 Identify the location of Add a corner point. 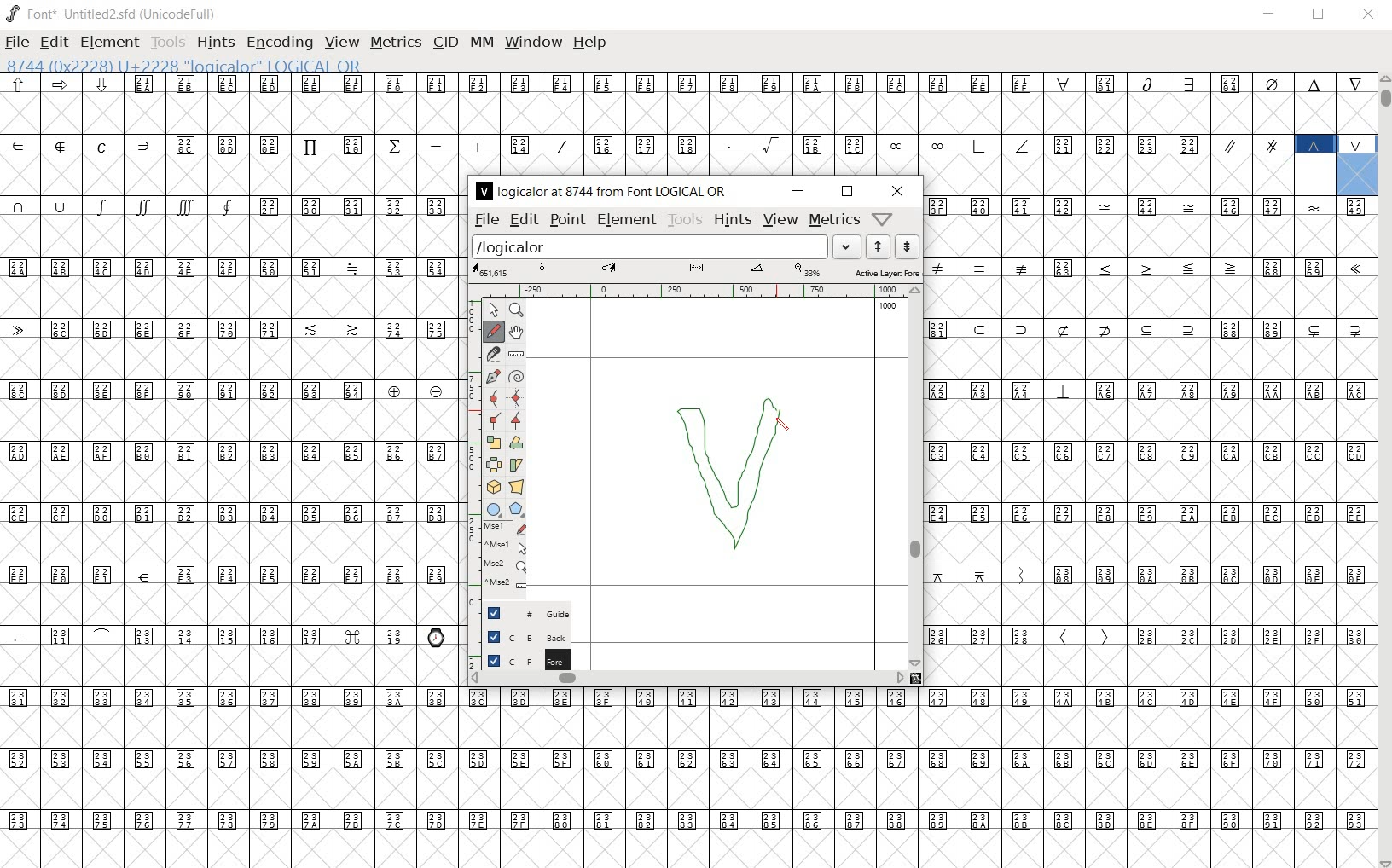
(515, 420).